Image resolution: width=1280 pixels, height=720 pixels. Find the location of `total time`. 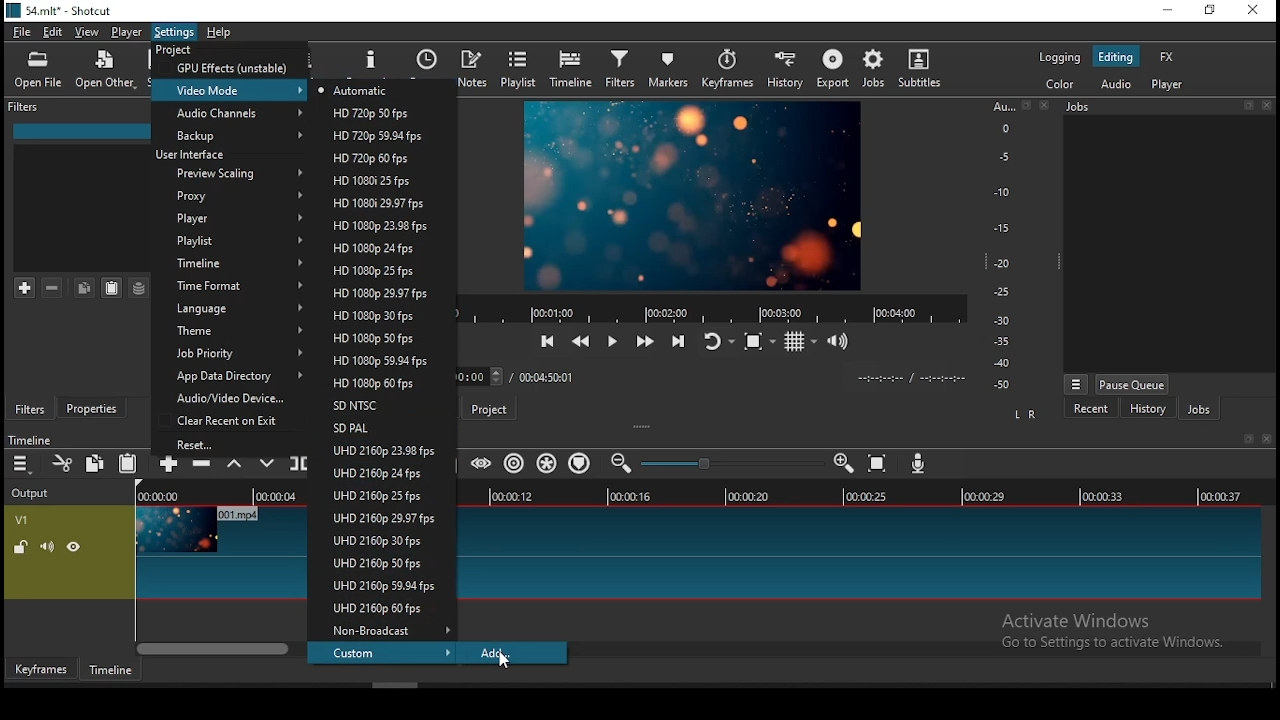

total time is located at coordinates (545, 379).